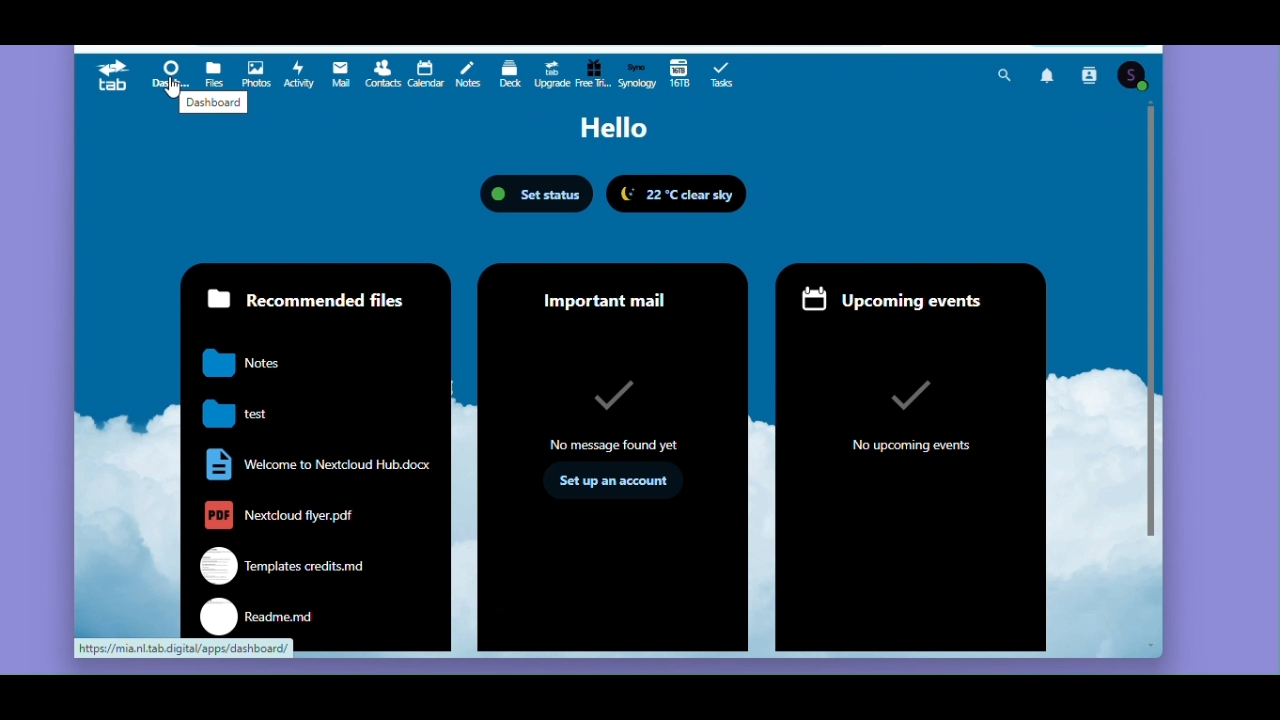  I want to click on Tasks, so click(723, 76).